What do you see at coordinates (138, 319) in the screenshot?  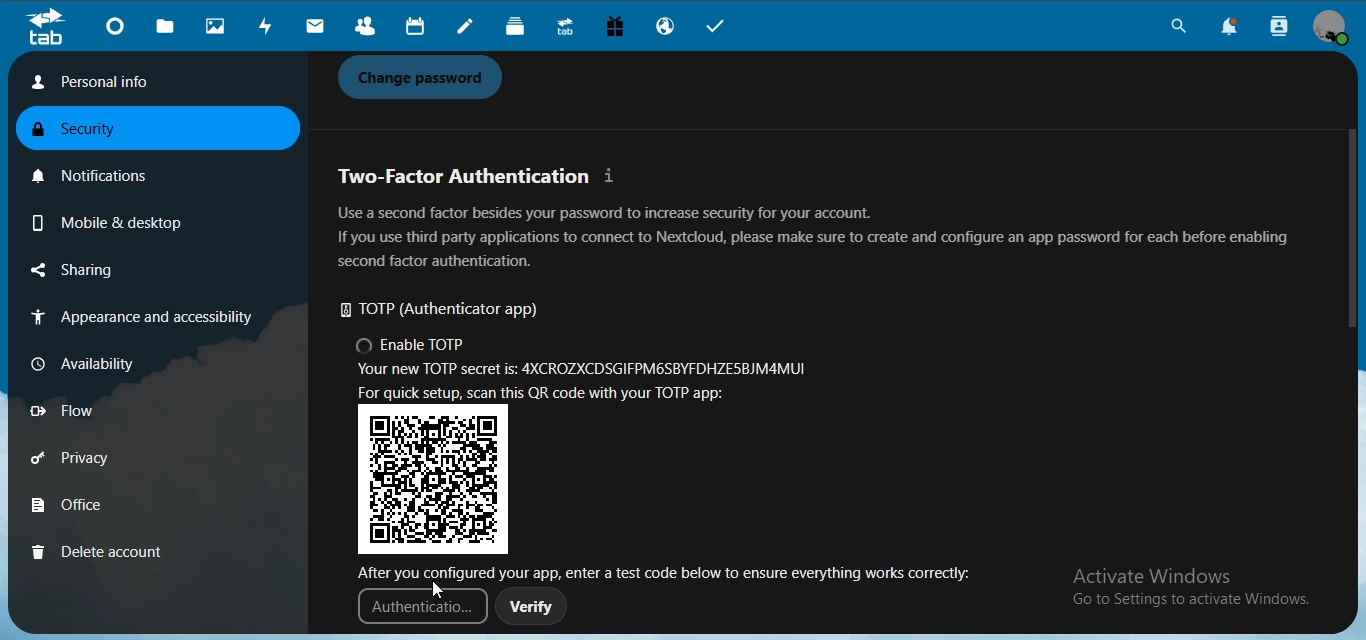 I see `appearance and accessibility` at bounding box center [138, 319].